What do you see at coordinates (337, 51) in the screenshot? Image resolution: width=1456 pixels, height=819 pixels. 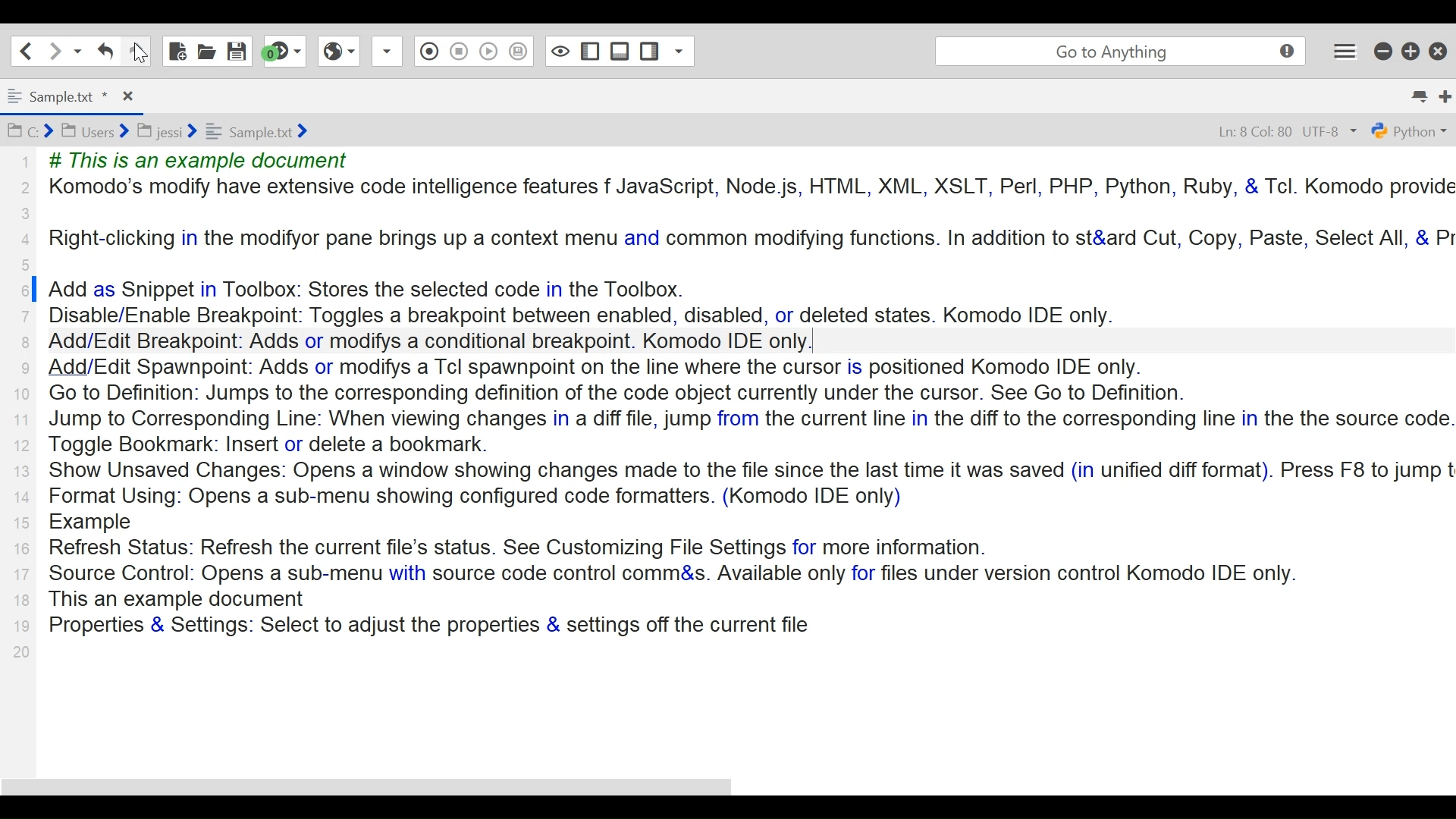 I see `View in Browser` at bounding box center [337, 51].